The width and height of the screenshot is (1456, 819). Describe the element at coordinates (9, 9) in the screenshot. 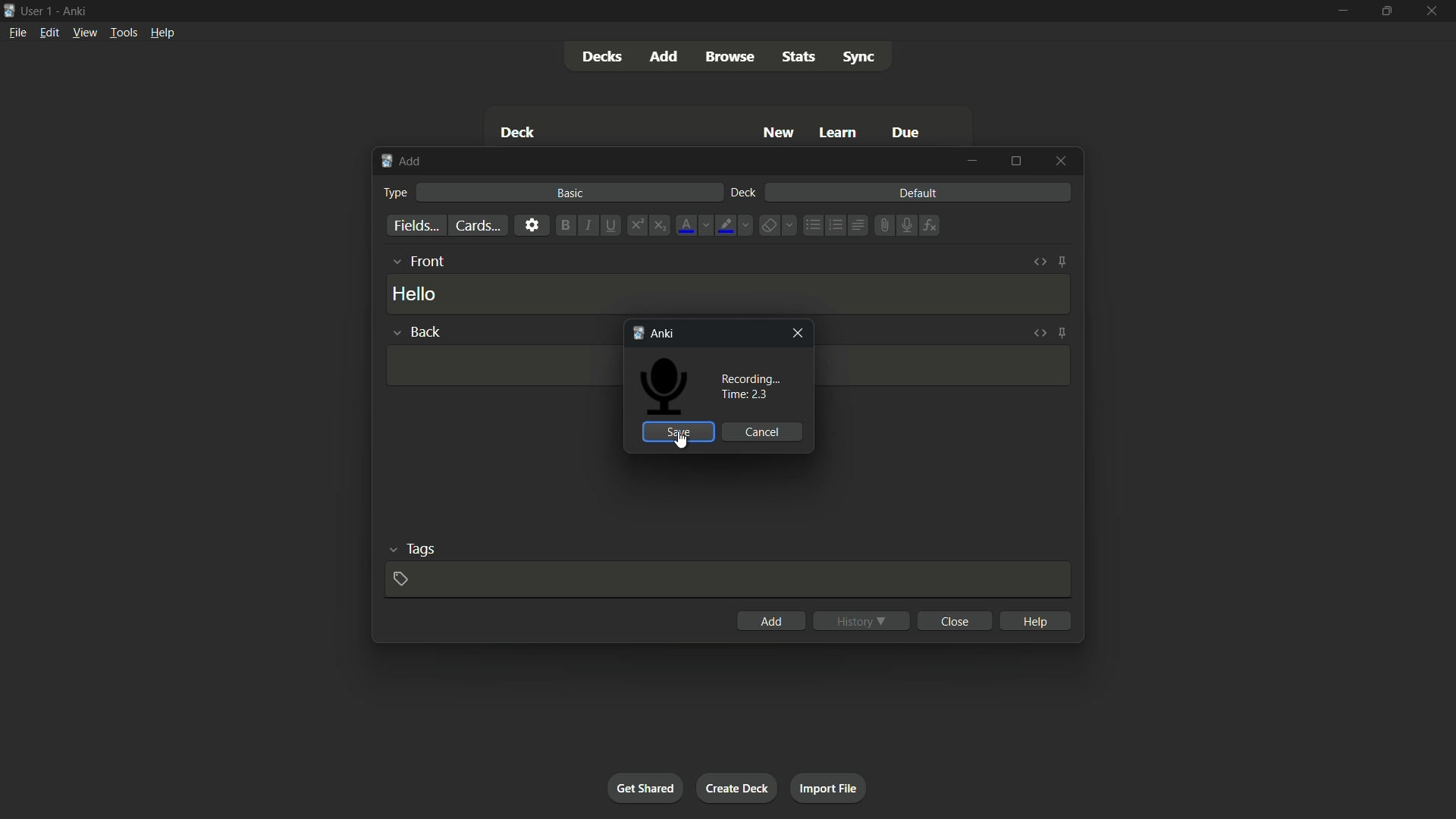

I see `app icon` at that location.